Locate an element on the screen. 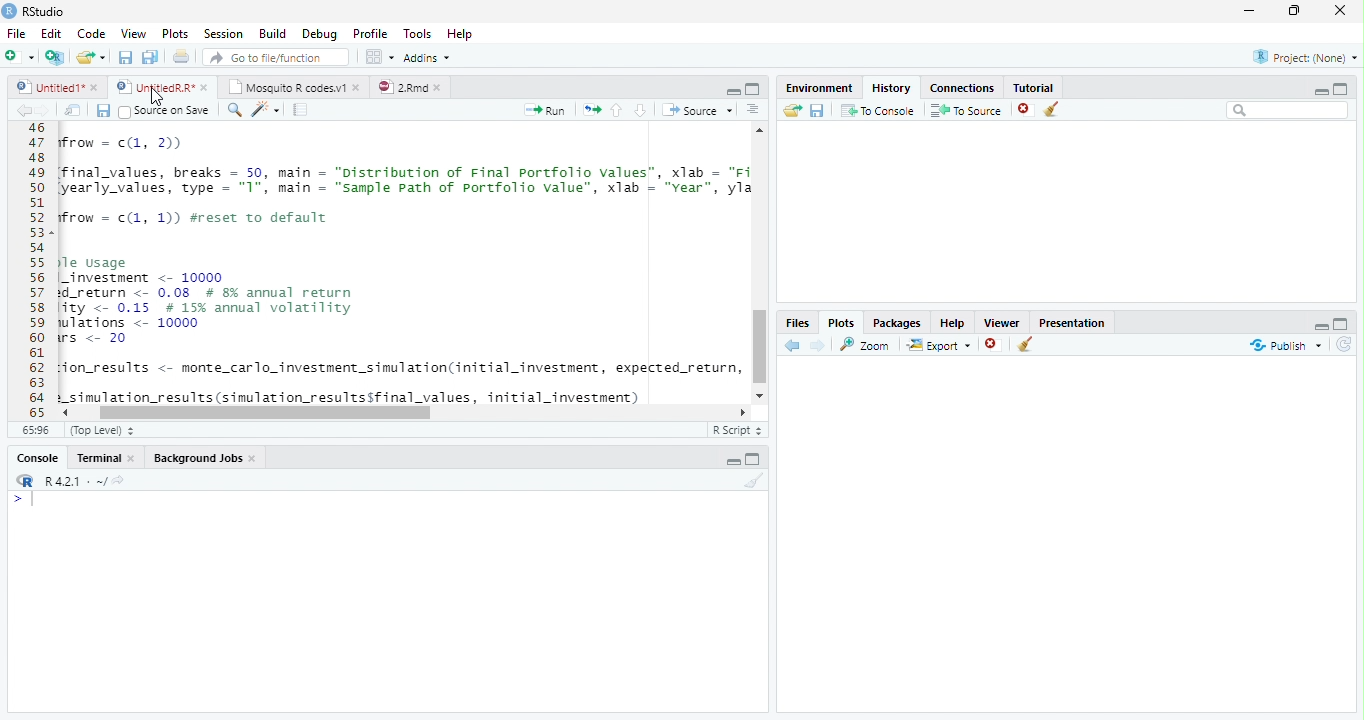  Maximize is located at coordinates (1299, 12).